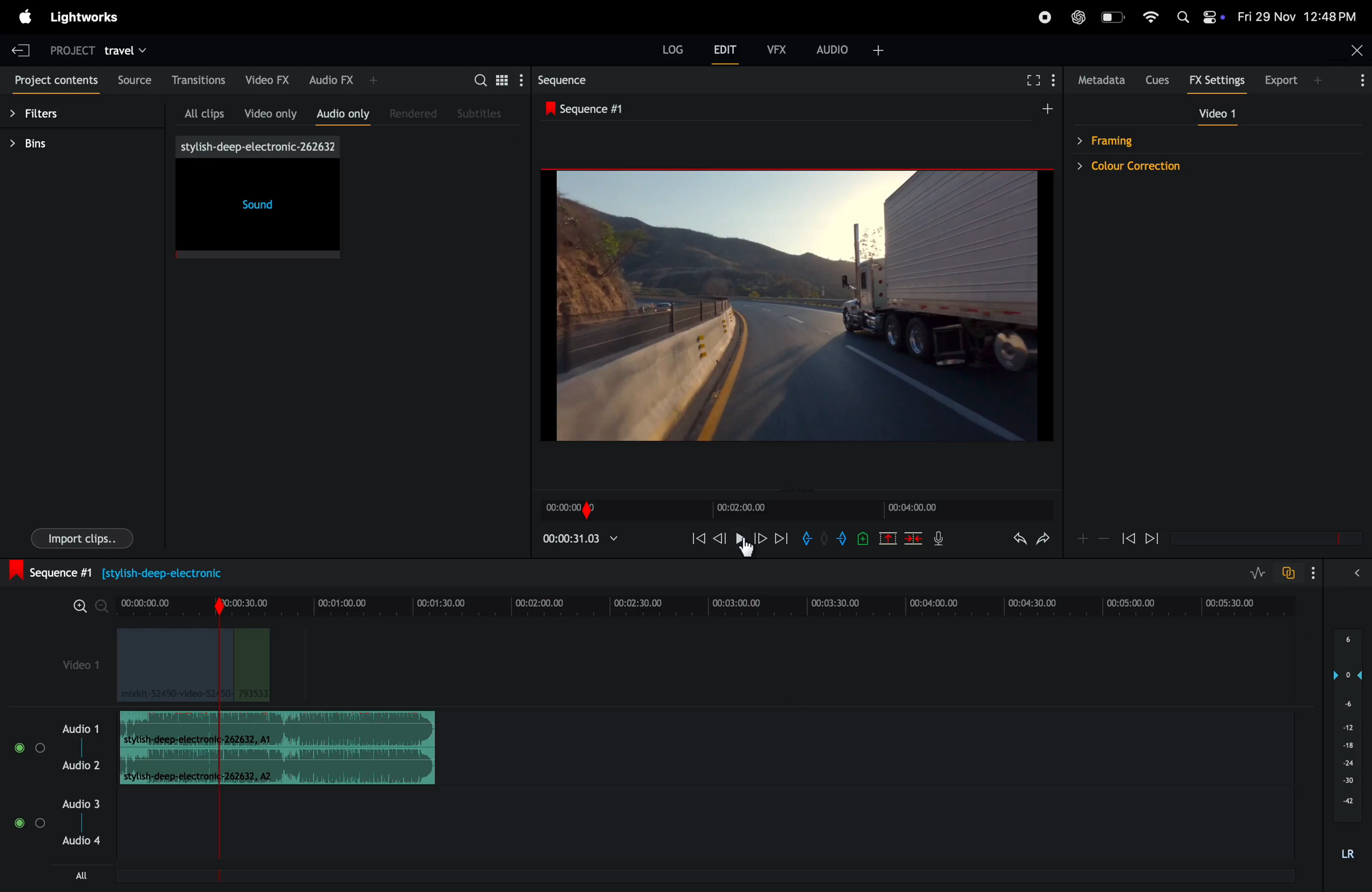 The image size is (1372, 892). I want to click on toggle between list view, so click(499, 79).